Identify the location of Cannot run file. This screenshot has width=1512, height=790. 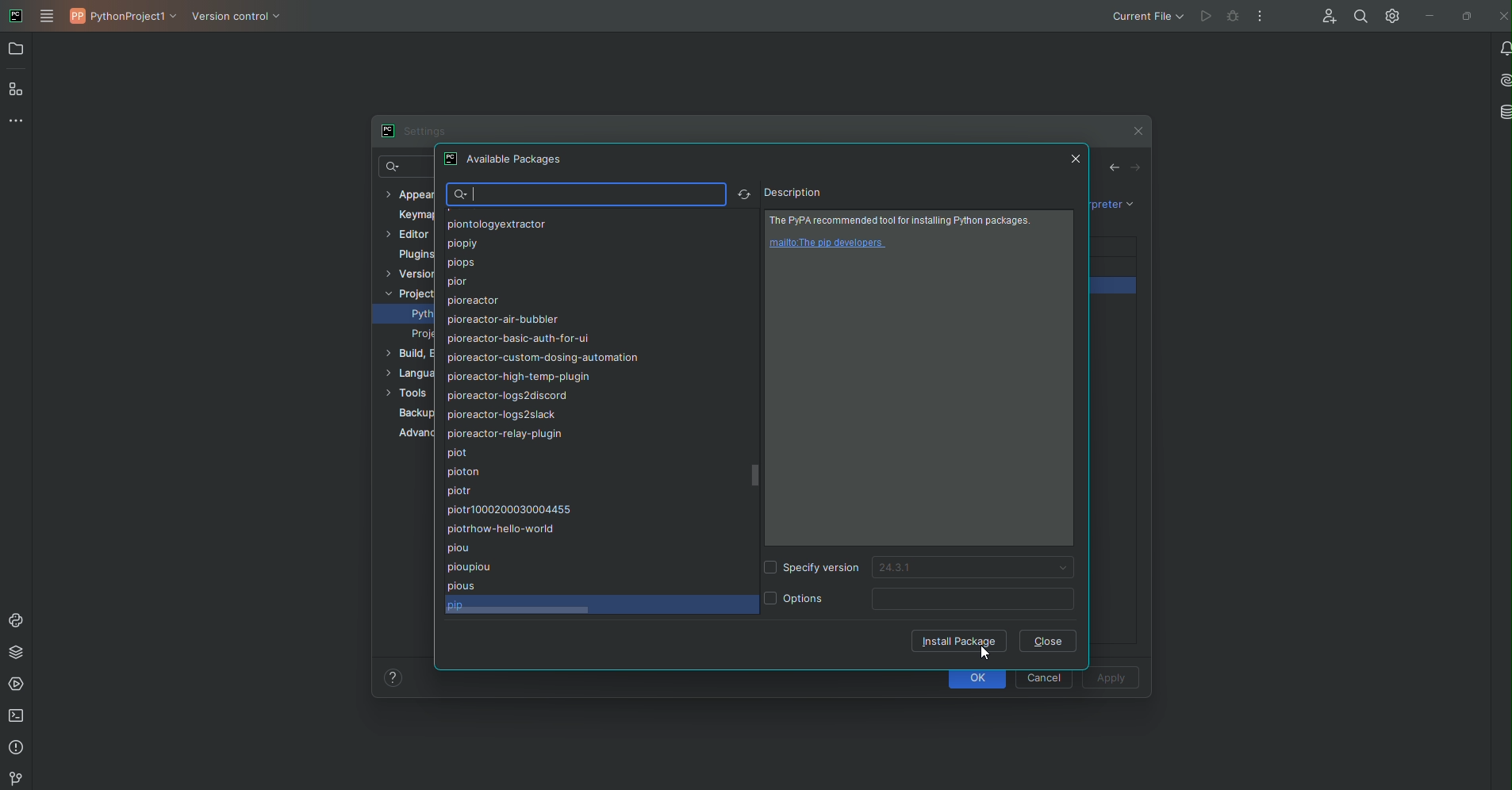
(1215, 17).